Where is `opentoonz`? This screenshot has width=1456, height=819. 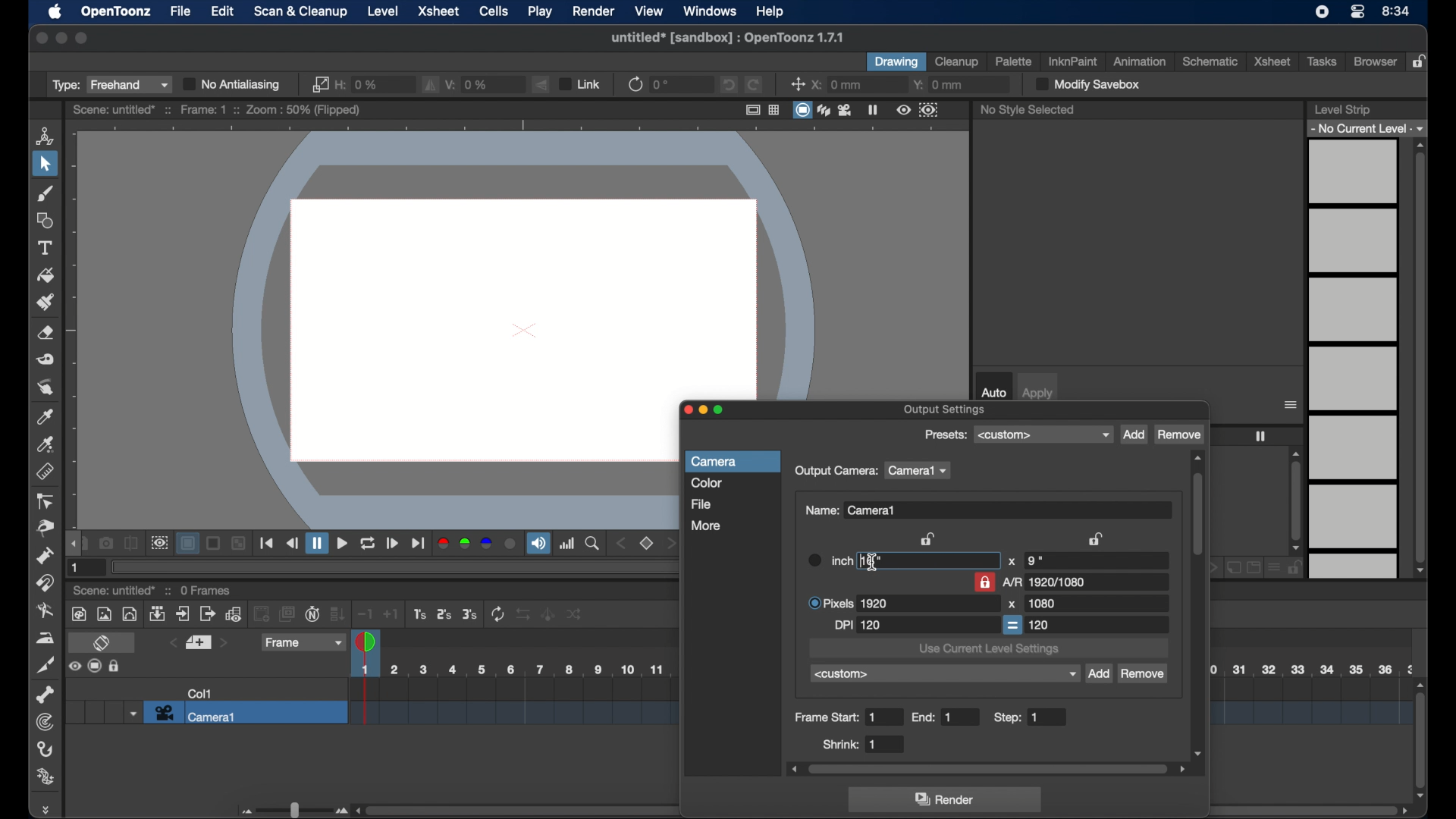 opentoonz is located at coordinates (118, 12).